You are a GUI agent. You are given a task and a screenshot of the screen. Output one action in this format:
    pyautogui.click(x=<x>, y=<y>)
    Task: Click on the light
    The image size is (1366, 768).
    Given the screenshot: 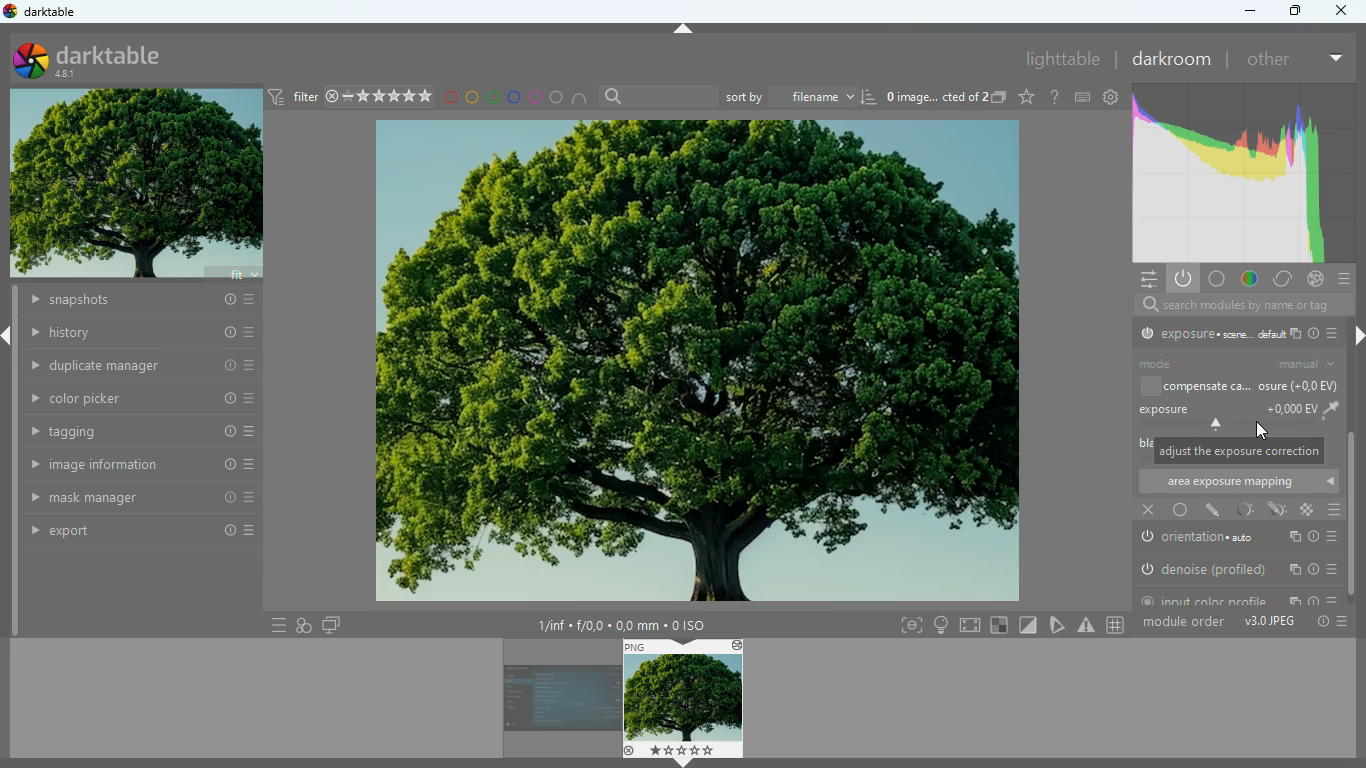 What is the action you would take?
    pyautogui.click(x=1246, y=510)
    